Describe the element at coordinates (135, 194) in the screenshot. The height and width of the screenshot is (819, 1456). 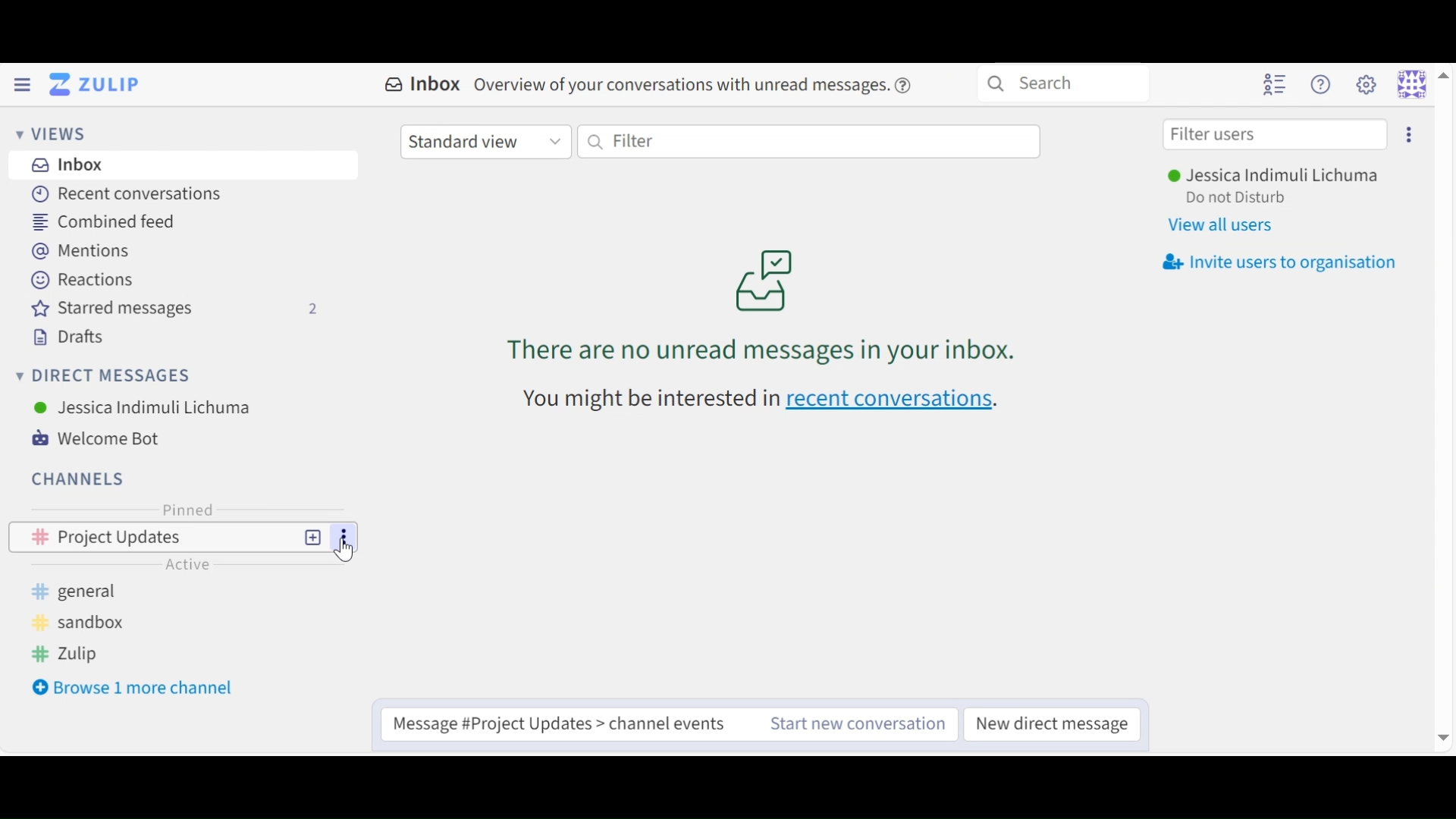
I see `Recent Conversations` at that location.